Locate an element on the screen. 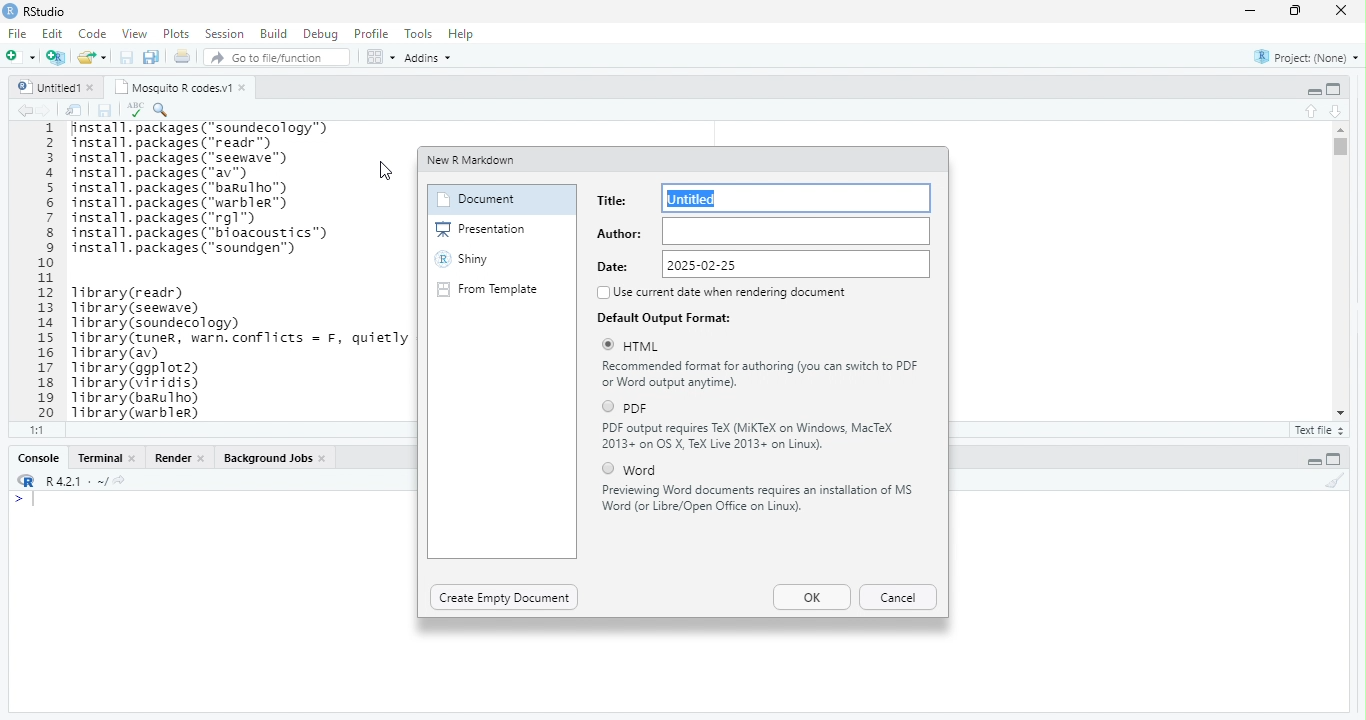 The image size is (1366, 720). Help is located at coordinates (462, 34).